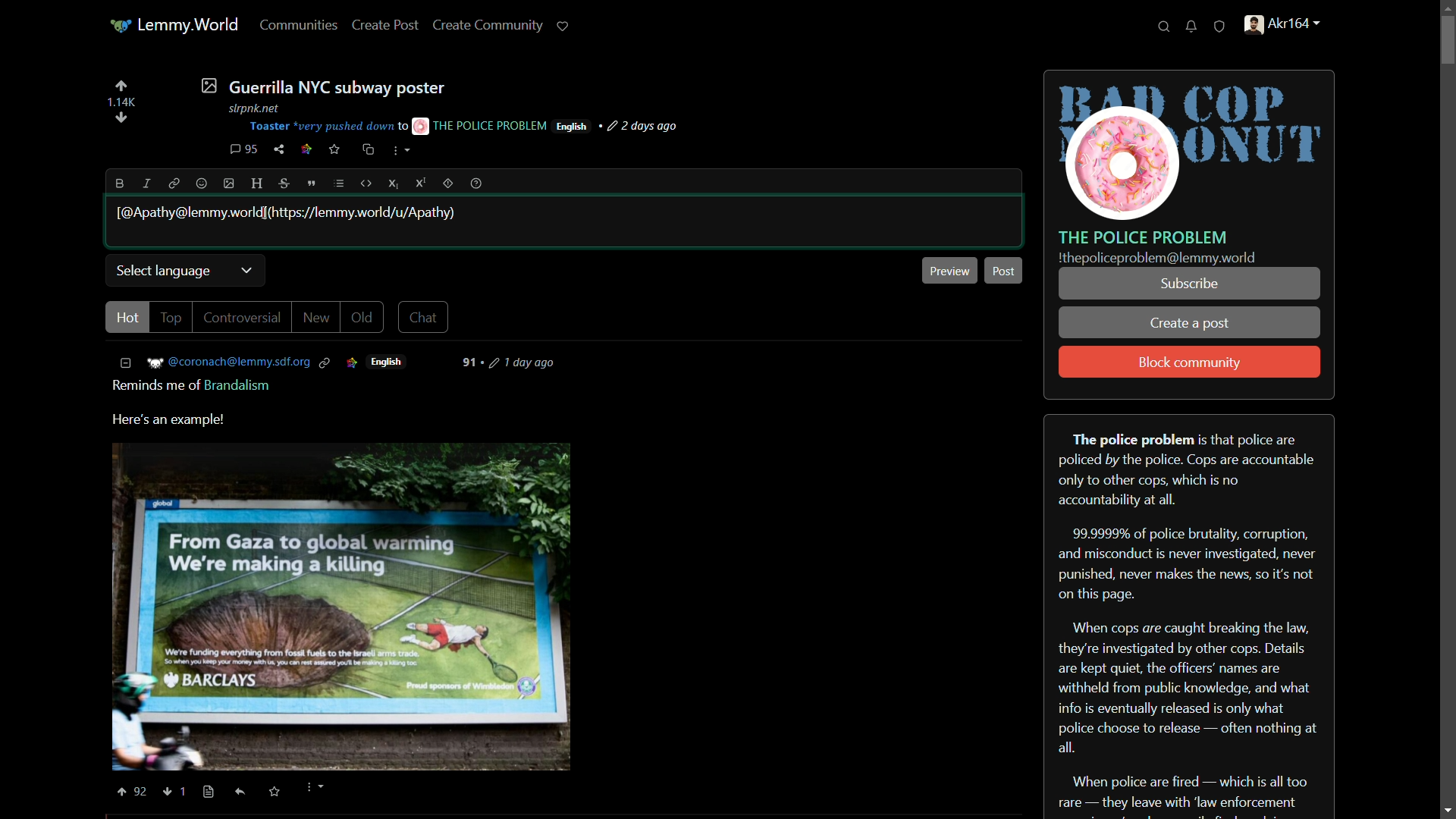  What do you see at coordinates (145, 183) in the screenshot?
I see `italic` at bounding box center [145, 183].